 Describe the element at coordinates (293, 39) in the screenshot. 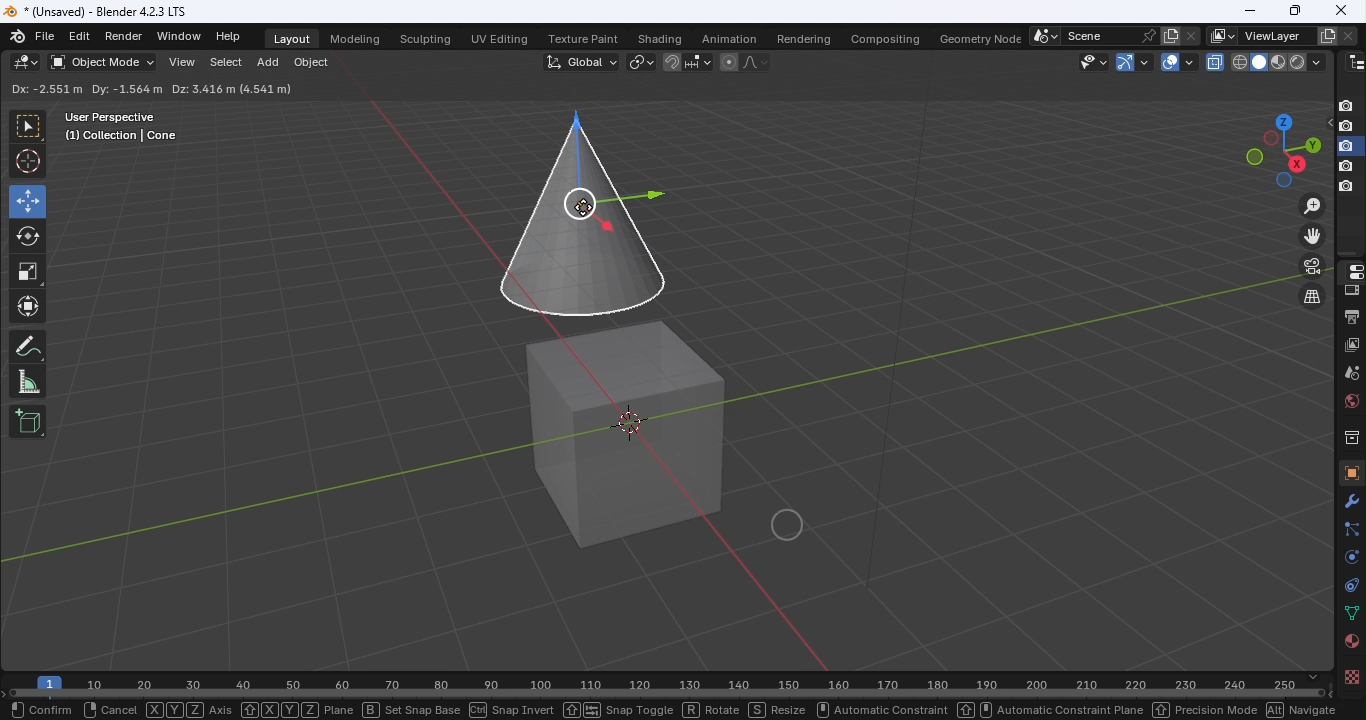

I see `Layout` at that location.